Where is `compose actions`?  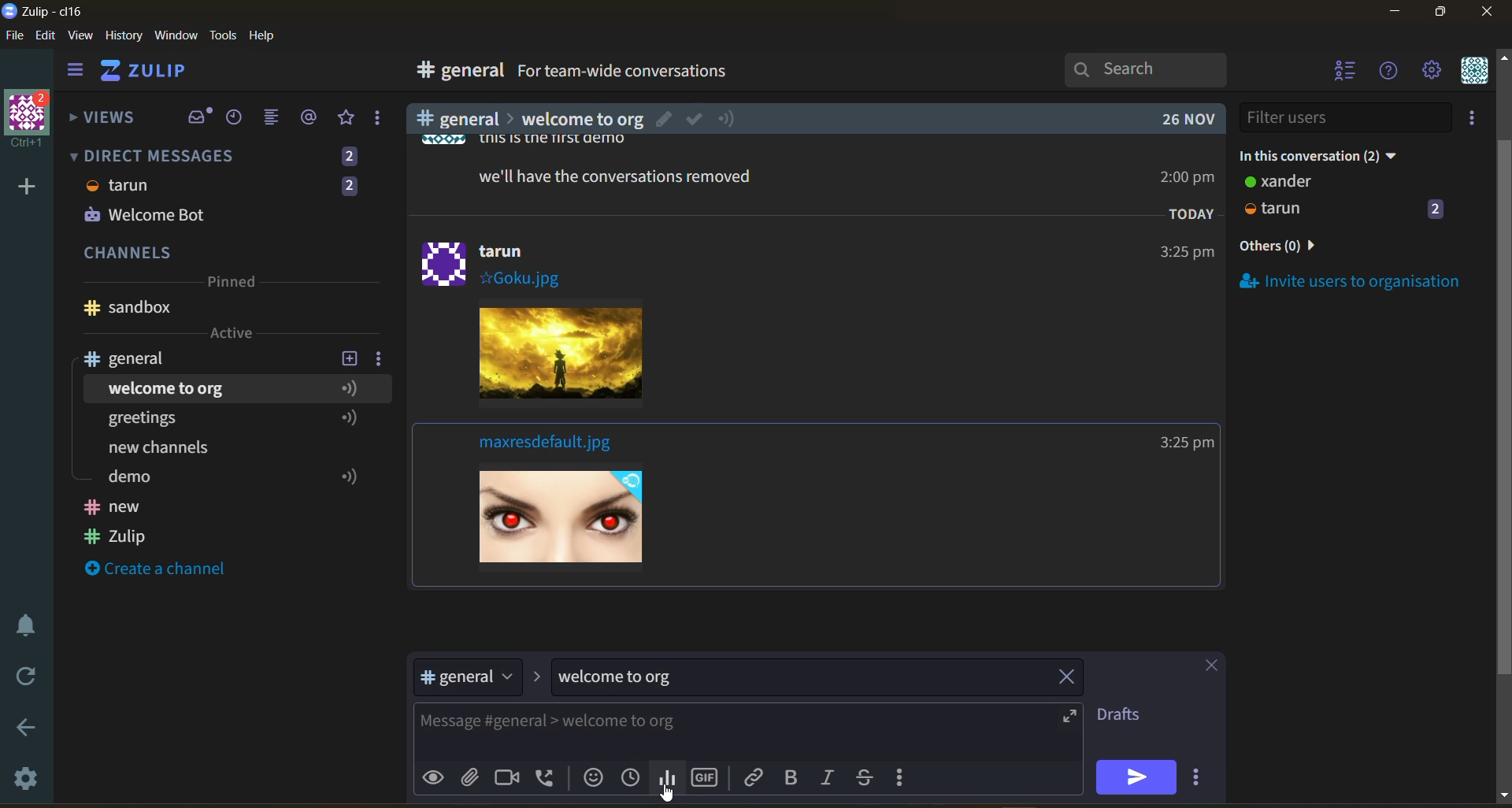 compose actions is located at coordinates (906, 780).